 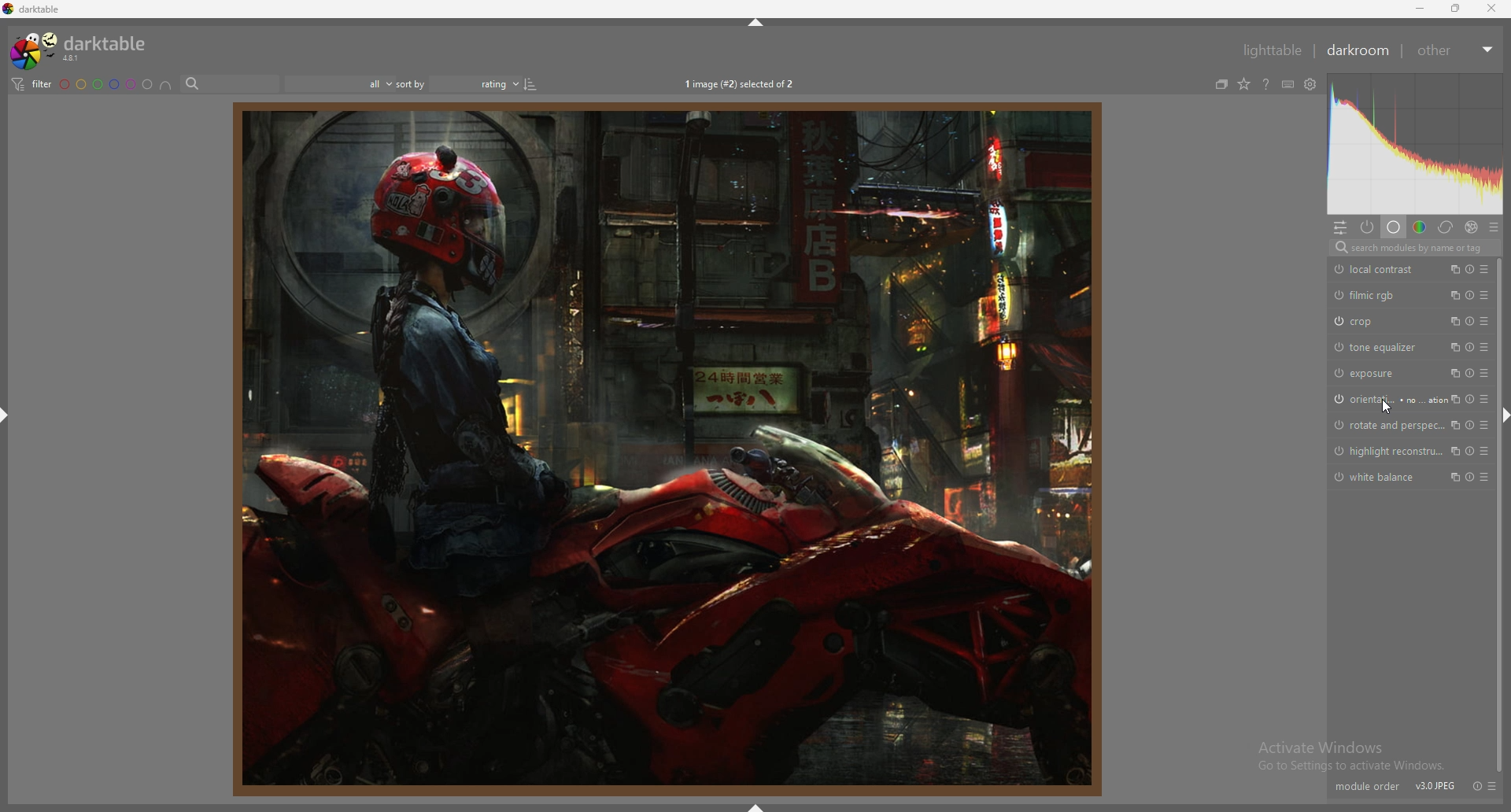 What do you see at coordinates (1468, 452) in the screenshot?
I see `reset` at bounding box center [1468, 452].